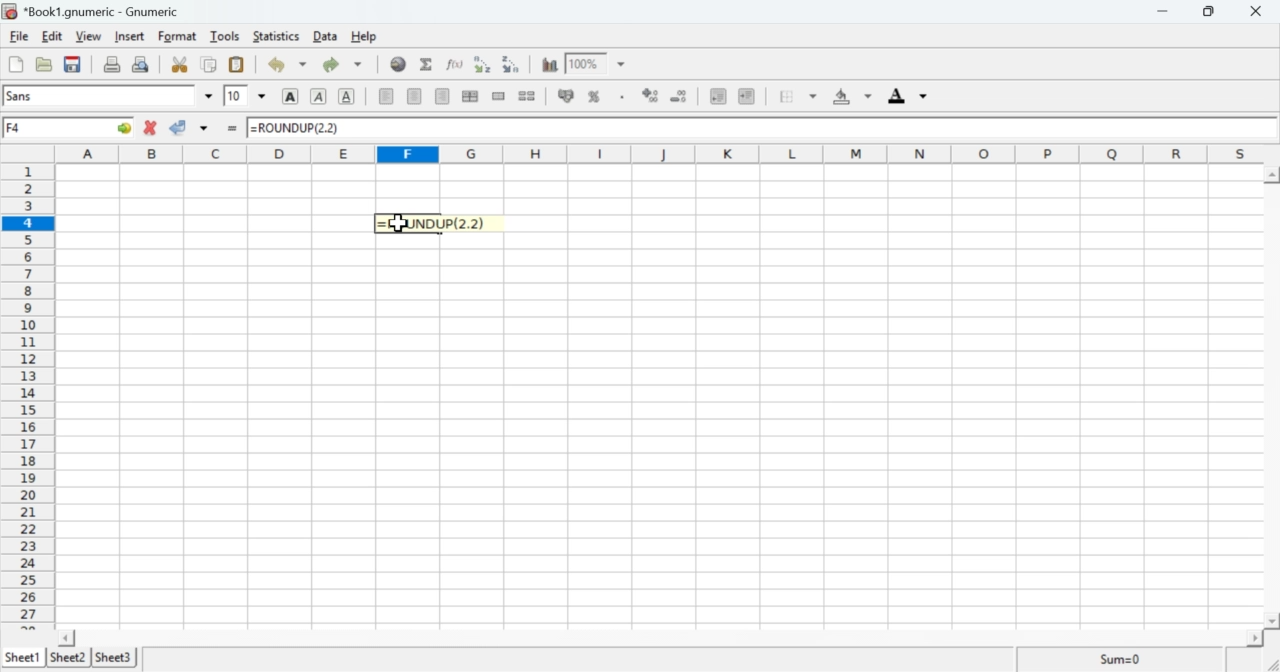  Describe the element at coordinates (583, 61) in the screenshot. I see `Zoom` at that location.